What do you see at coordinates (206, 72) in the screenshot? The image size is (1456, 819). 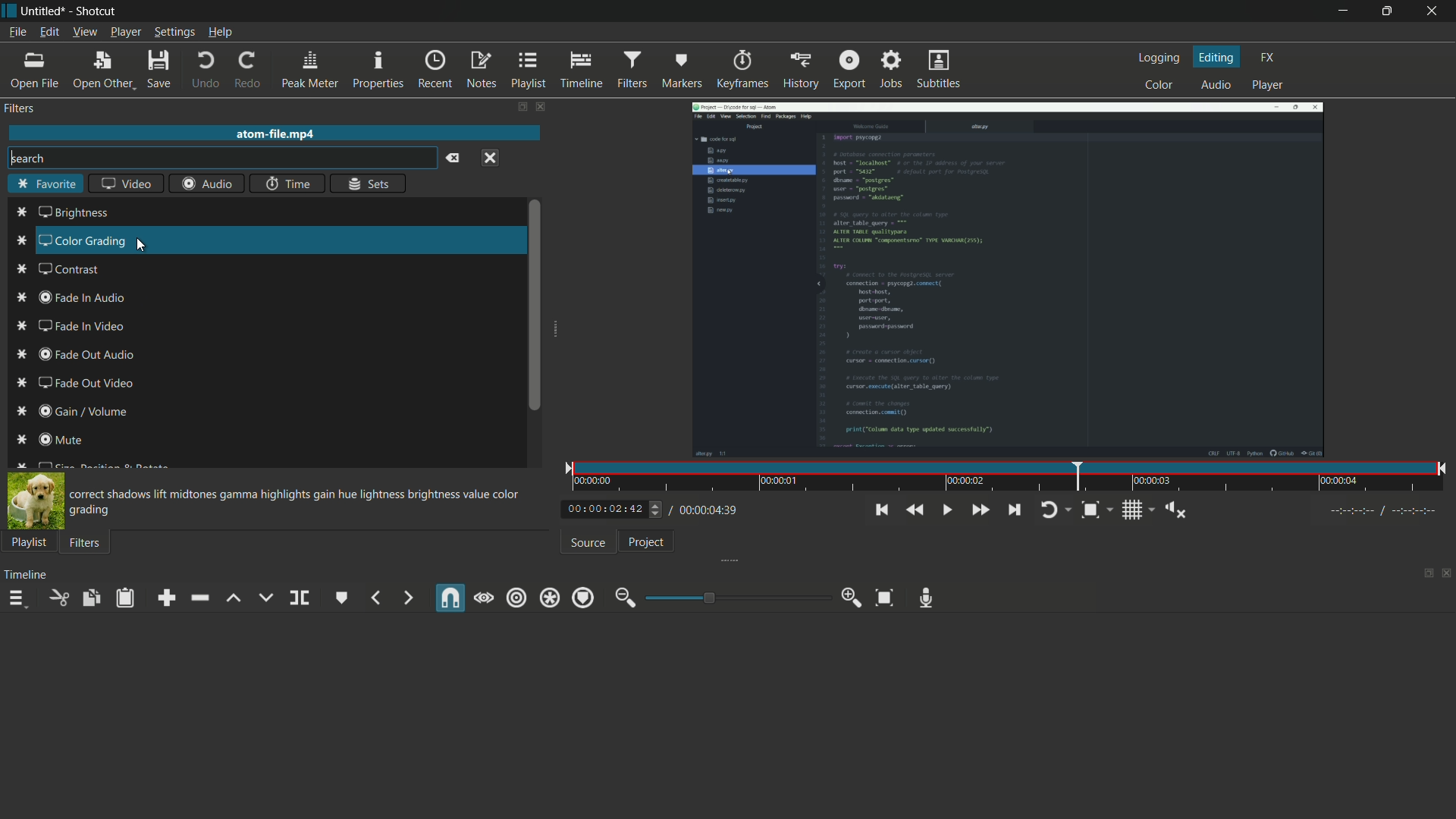 I see `undo` at bounding box center [206, 72].